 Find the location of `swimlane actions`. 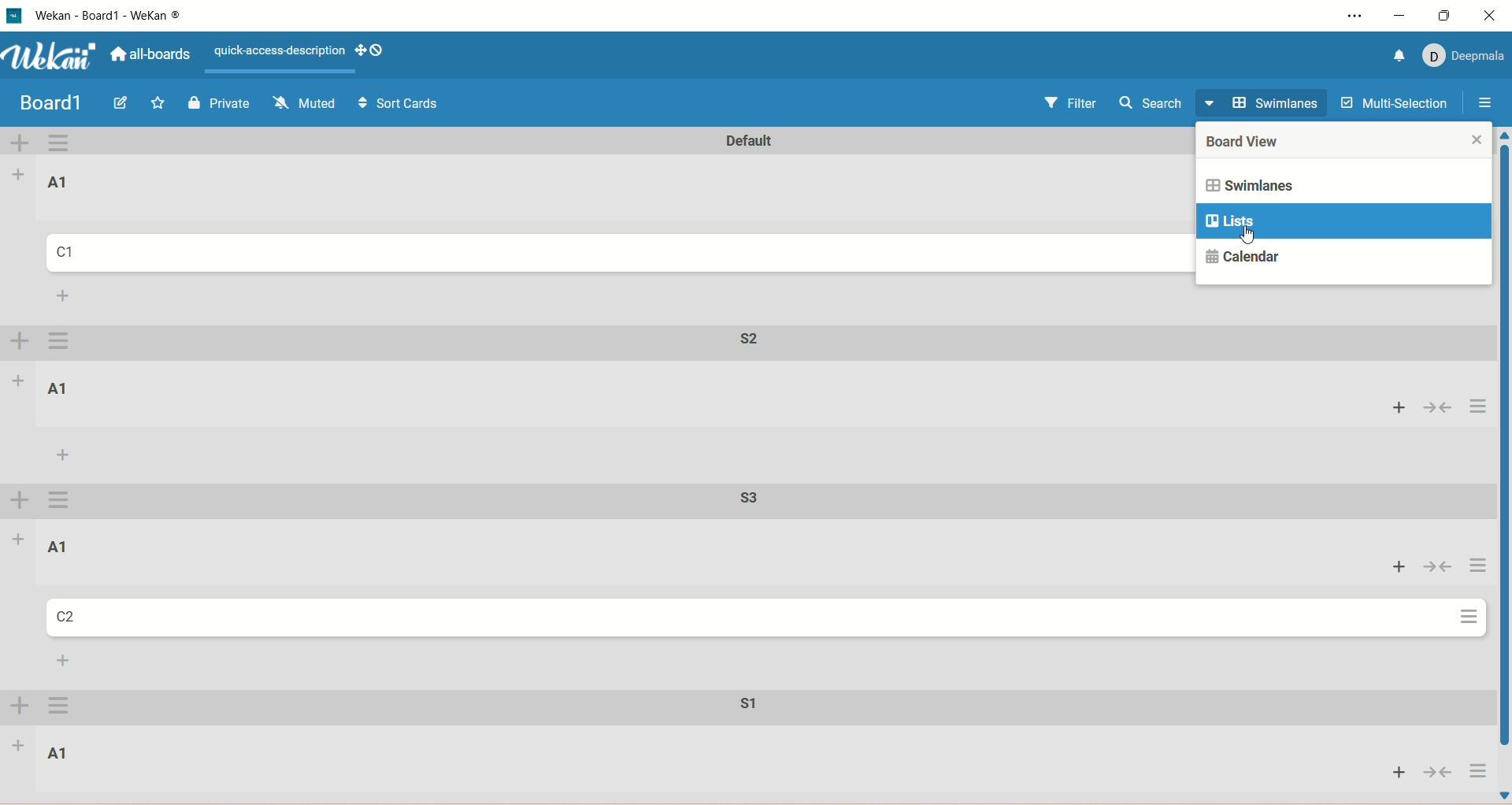

swimlane actions is located at coordinates (65, 143).